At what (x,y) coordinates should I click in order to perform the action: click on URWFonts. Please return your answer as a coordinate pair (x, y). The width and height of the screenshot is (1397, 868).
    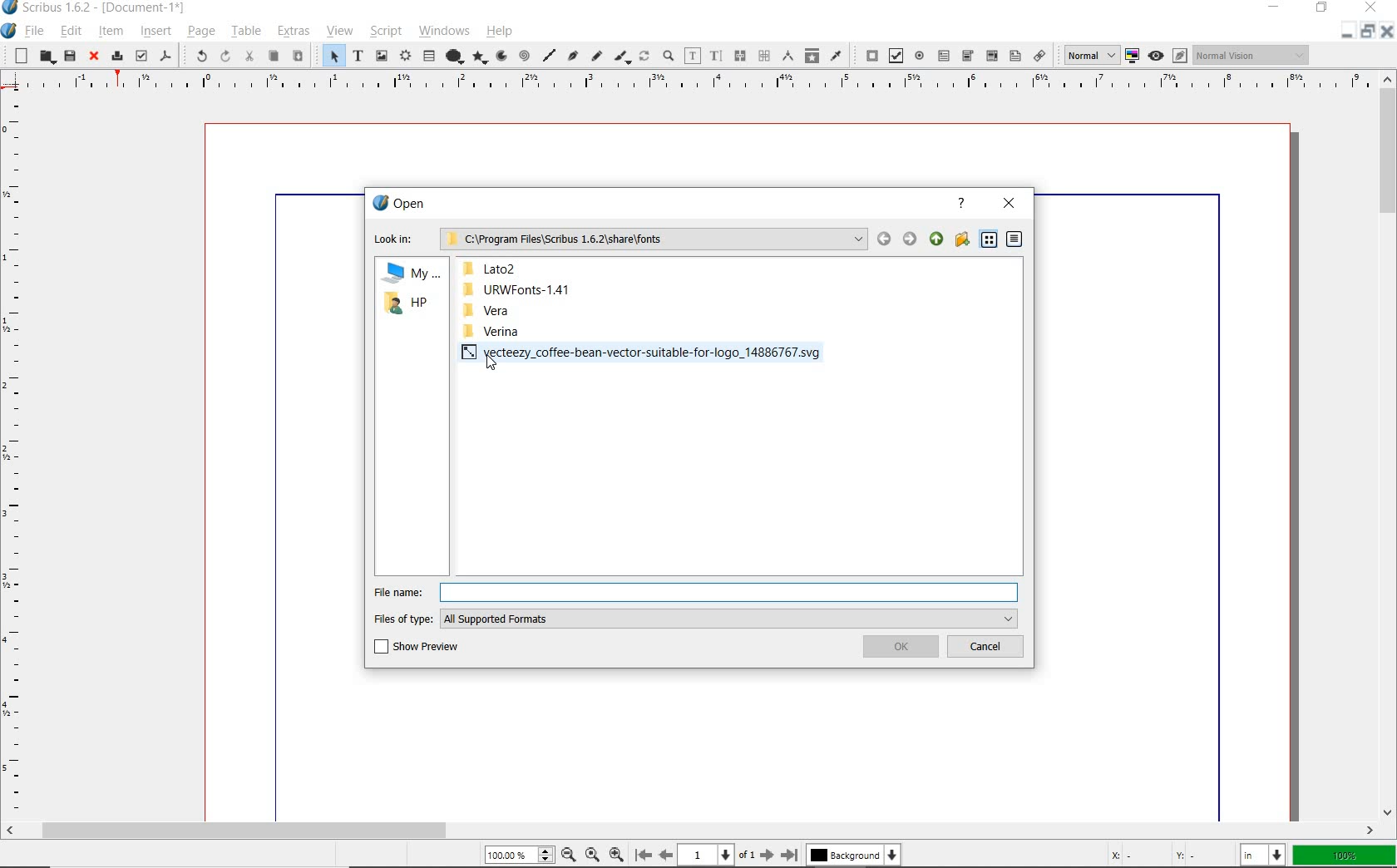
    Looking at the image, I should click on (526, 289).